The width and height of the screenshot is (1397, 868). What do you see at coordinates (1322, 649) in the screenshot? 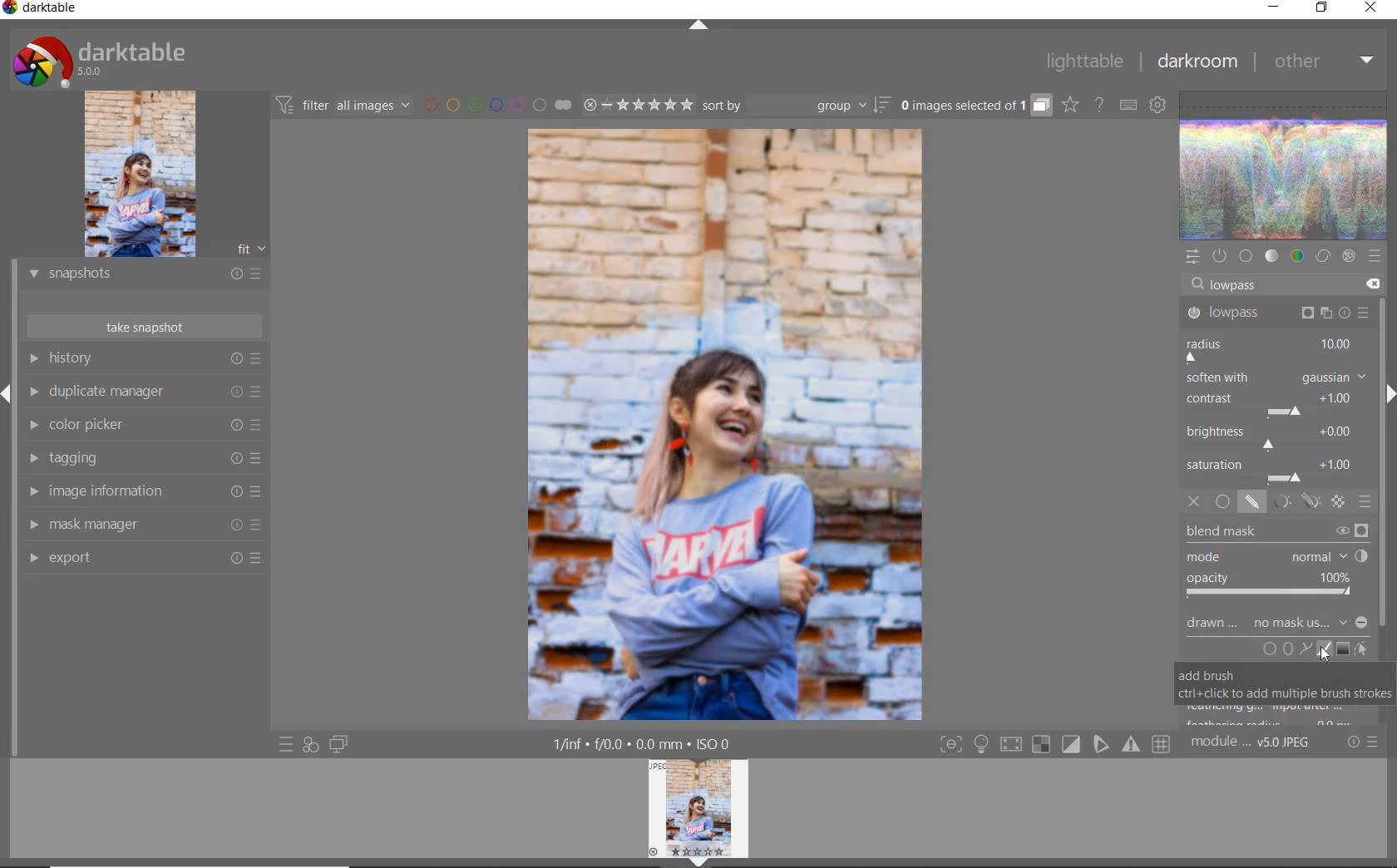
I see `add brush` at bounding box center [1322, 649].